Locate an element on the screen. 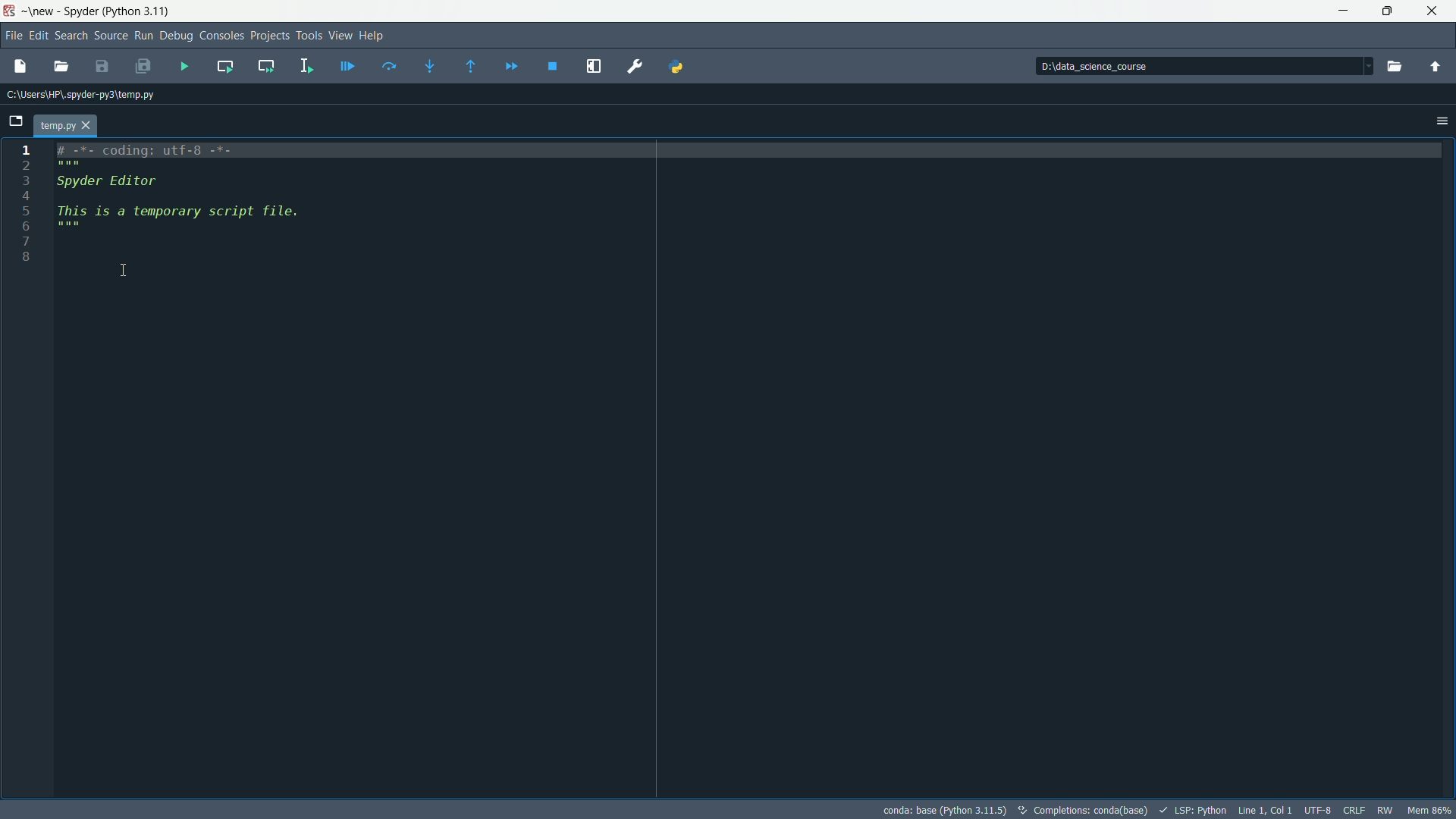 Image resolution: width=1456 pixels, height=819 pixels. stop debugging is located at coordinates (556, 66).